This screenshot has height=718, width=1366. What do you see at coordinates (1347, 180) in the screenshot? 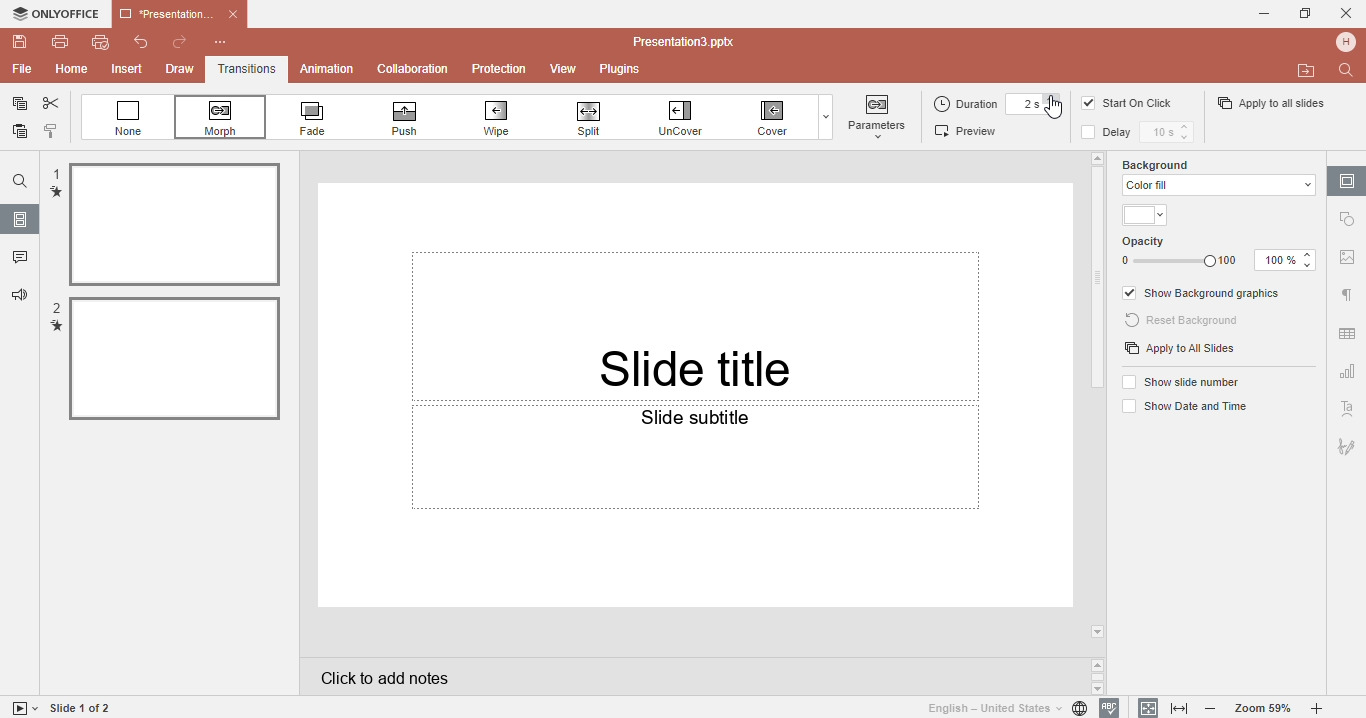
I see `Slide settings` at bounding box center [1347, 180].